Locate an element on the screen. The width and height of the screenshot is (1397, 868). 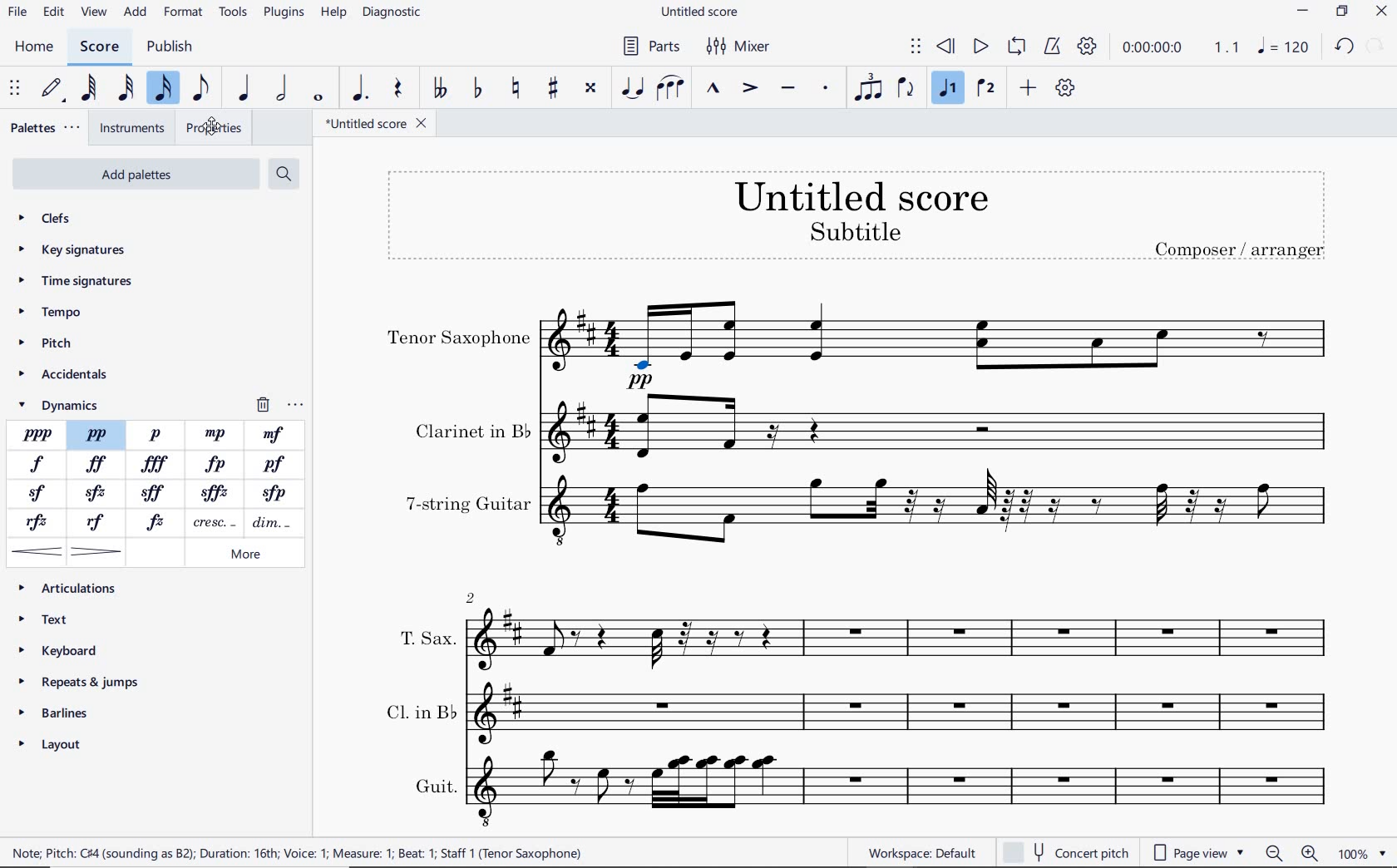
DECRESENDO LINE is located at coordinates (273, 523).